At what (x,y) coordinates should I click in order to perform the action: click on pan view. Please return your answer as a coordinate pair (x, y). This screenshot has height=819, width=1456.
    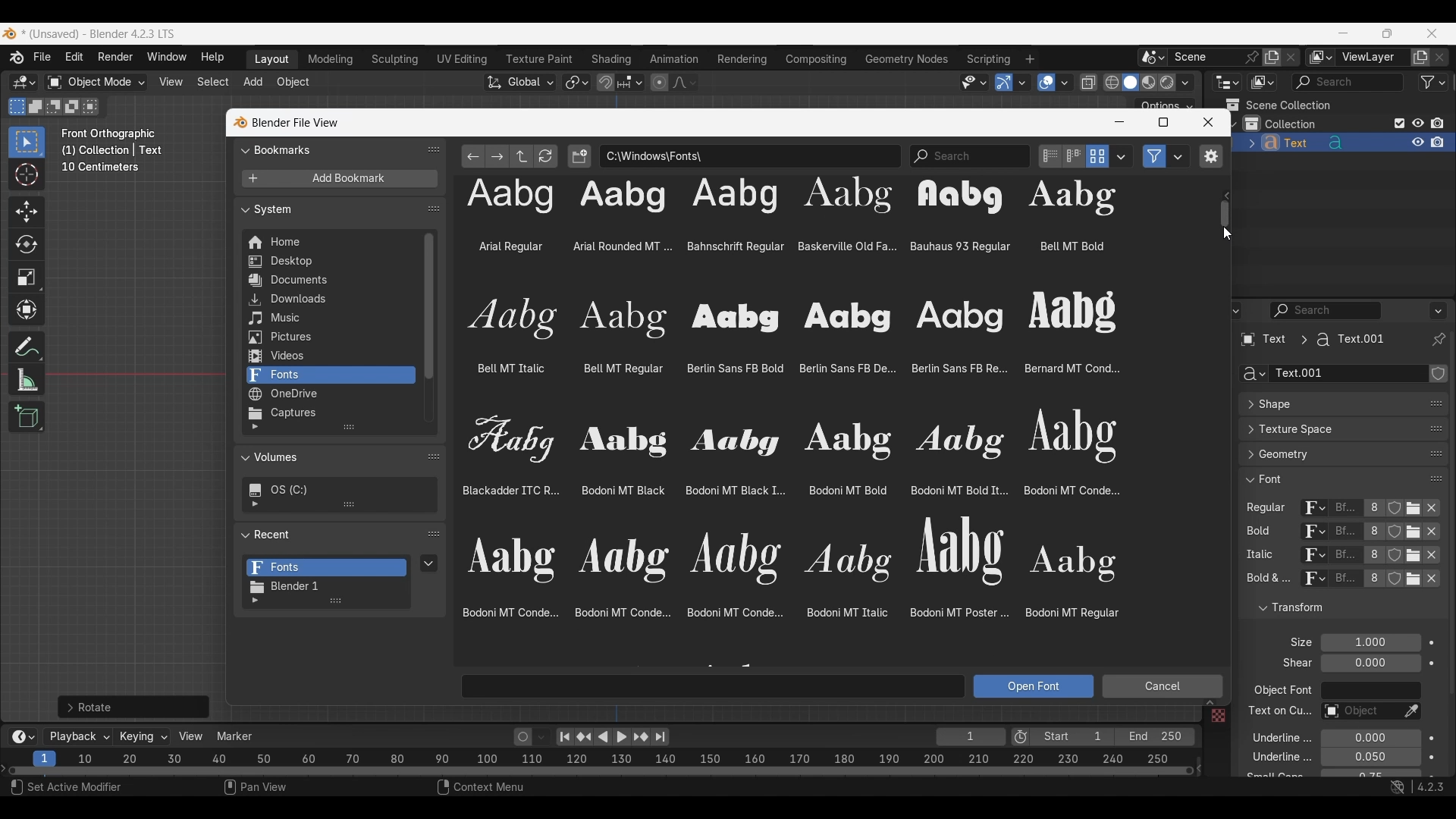
    Looking at the image, I should click on (273, 789).